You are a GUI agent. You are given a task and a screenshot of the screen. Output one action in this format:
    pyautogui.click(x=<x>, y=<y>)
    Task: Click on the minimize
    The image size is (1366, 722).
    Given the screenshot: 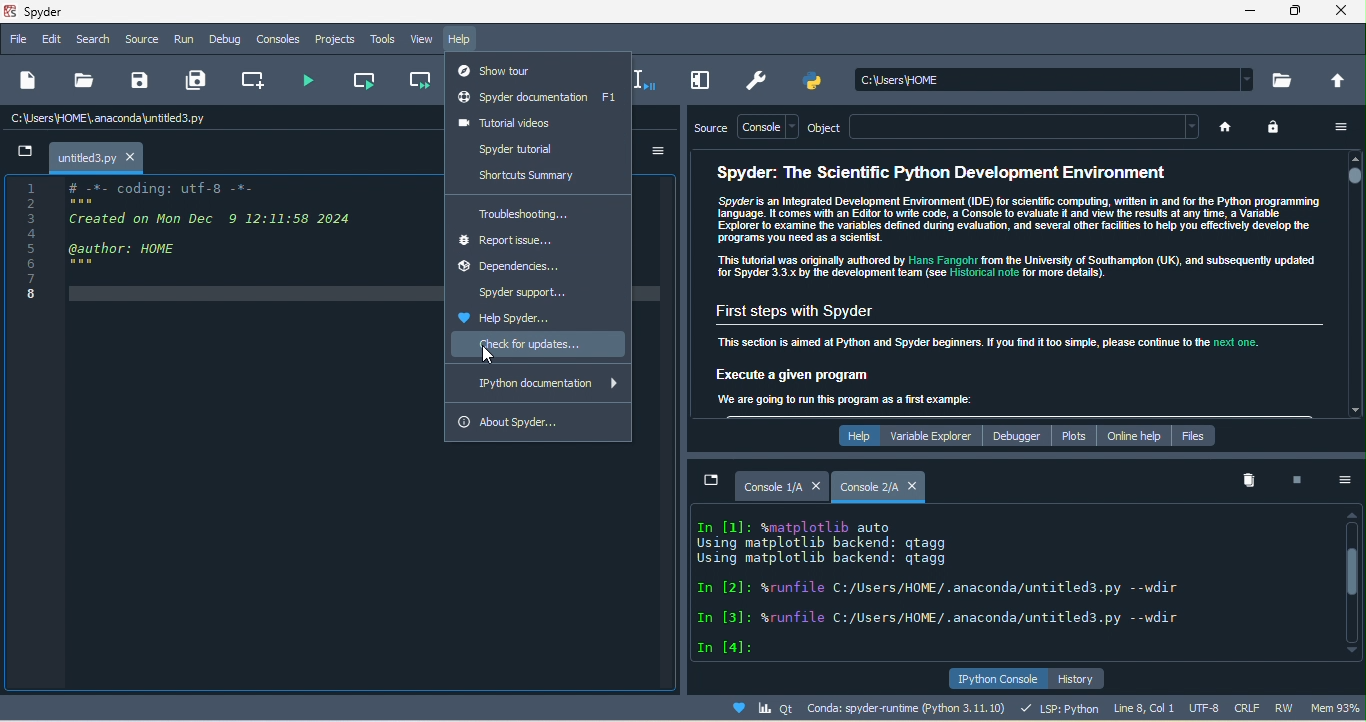 What is the action you would take?
    pyautogui.click(x=1244, y=14)
    